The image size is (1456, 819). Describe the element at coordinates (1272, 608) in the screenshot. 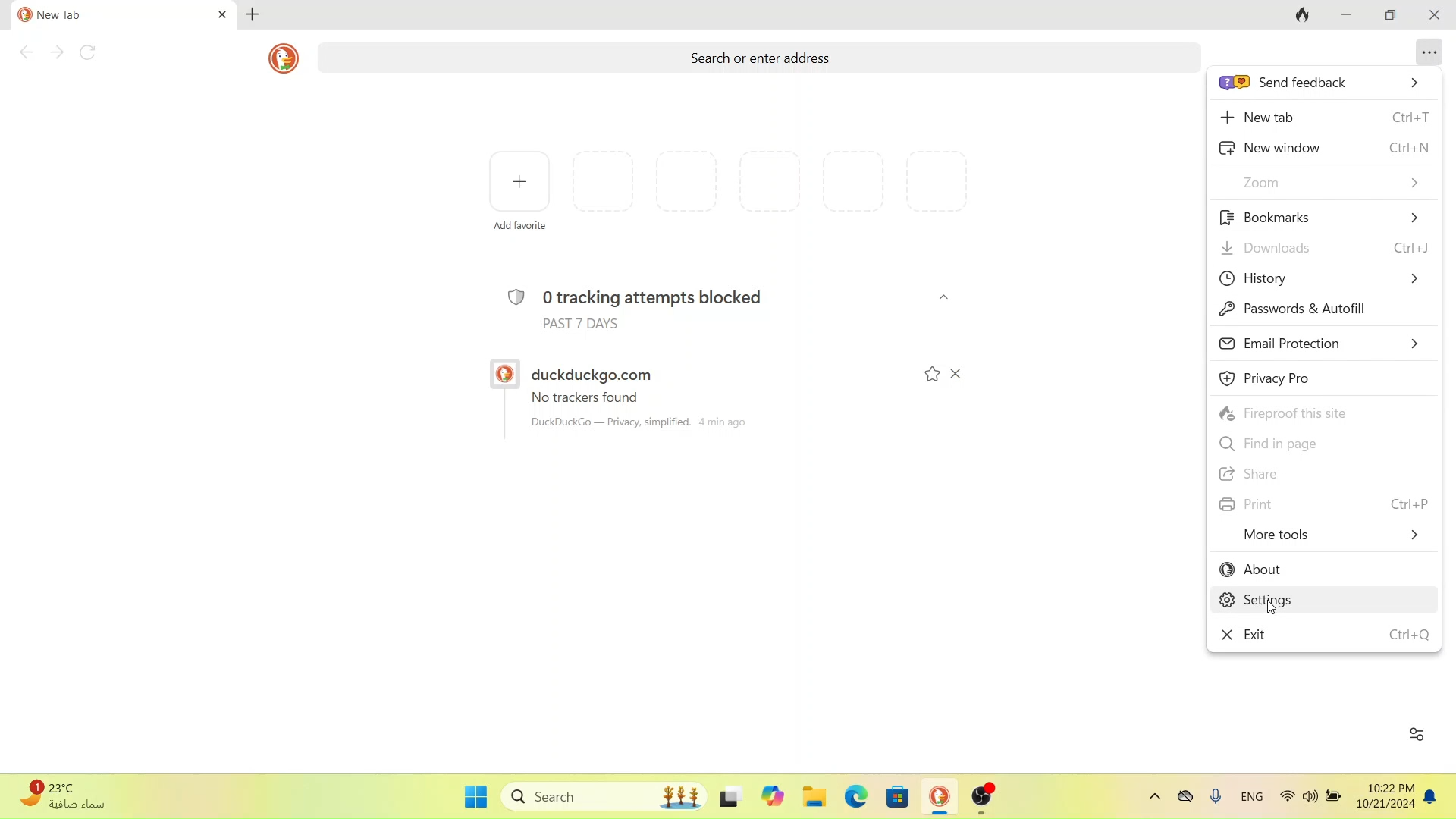

I see `cursor` at that location.